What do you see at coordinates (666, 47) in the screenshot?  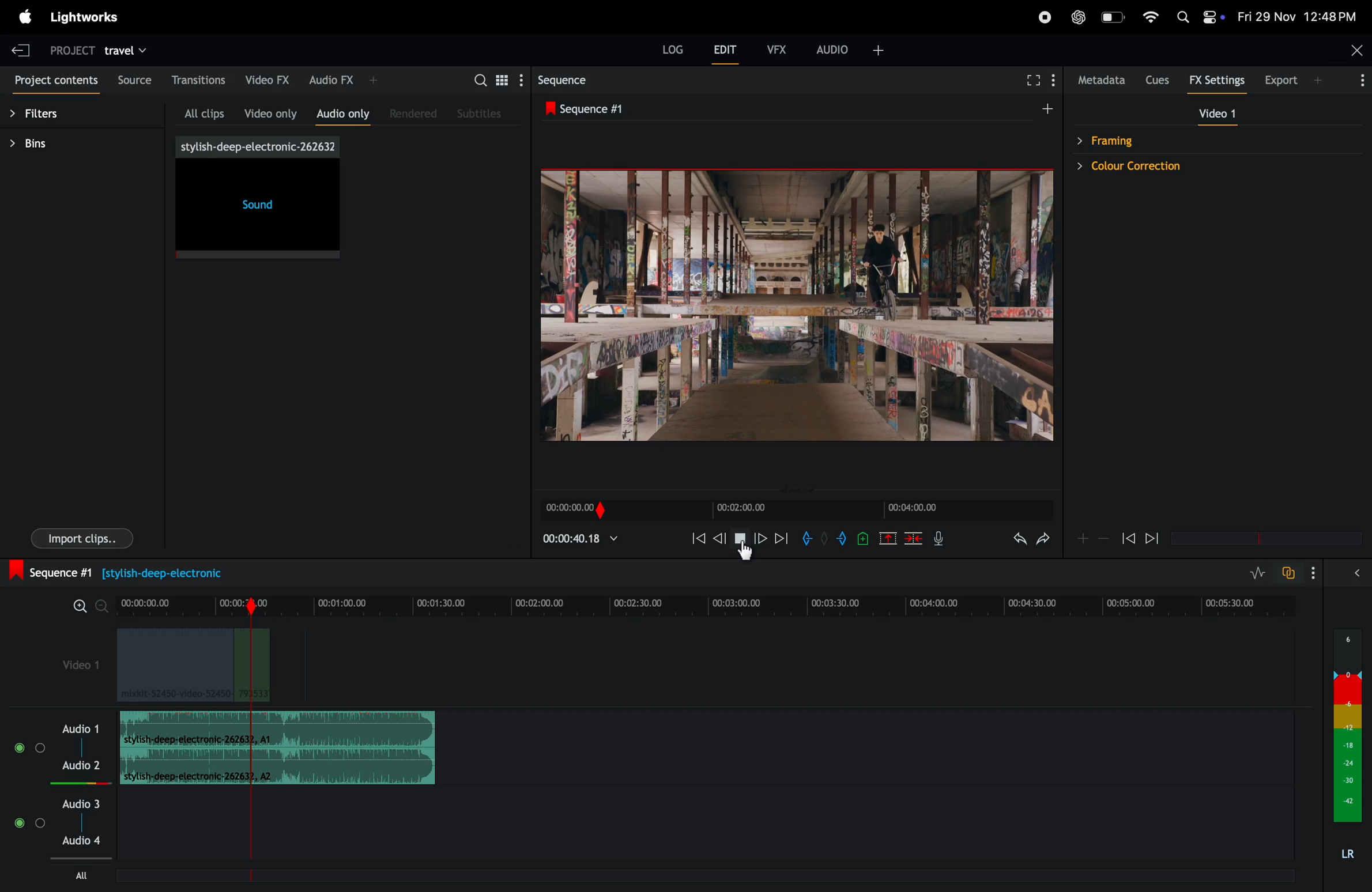 I see `log` at bounding box center [666, 47].